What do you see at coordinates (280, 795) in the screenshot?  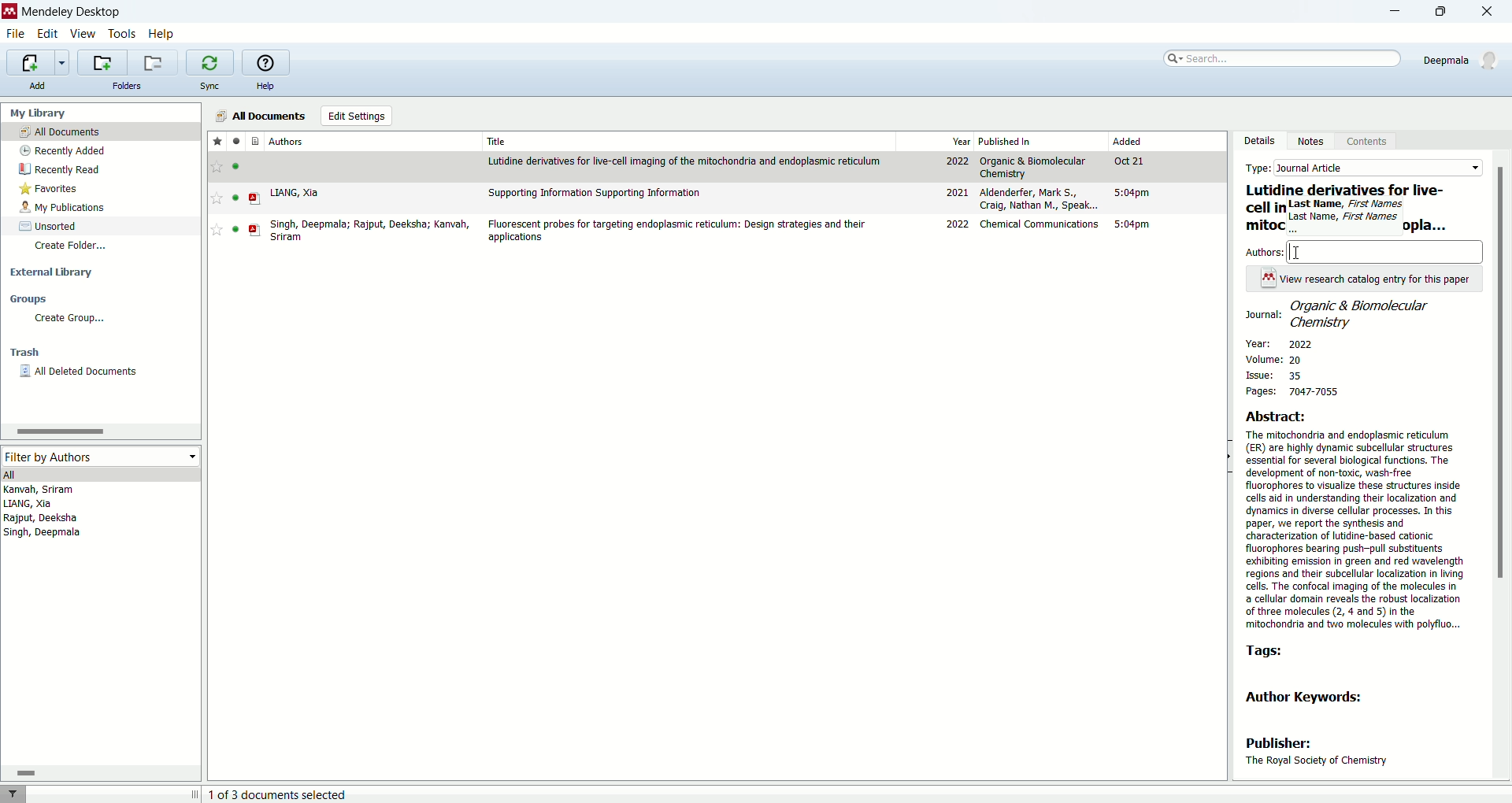 I see `document selected` at bounding box center [280, 795].